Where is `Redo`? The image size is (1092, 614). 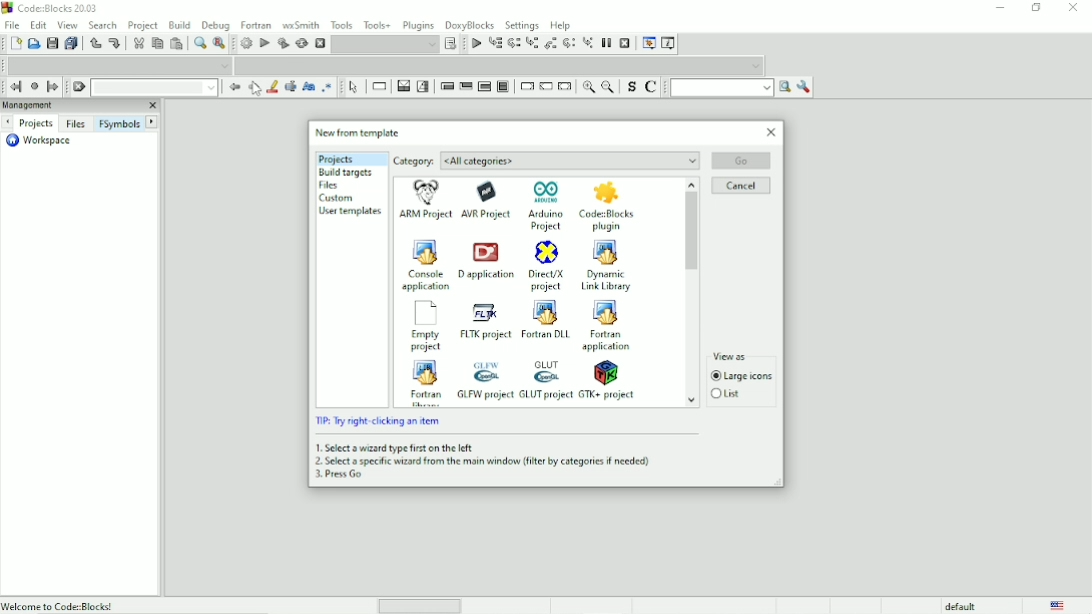
Redo is located at coordinates (114, 44).